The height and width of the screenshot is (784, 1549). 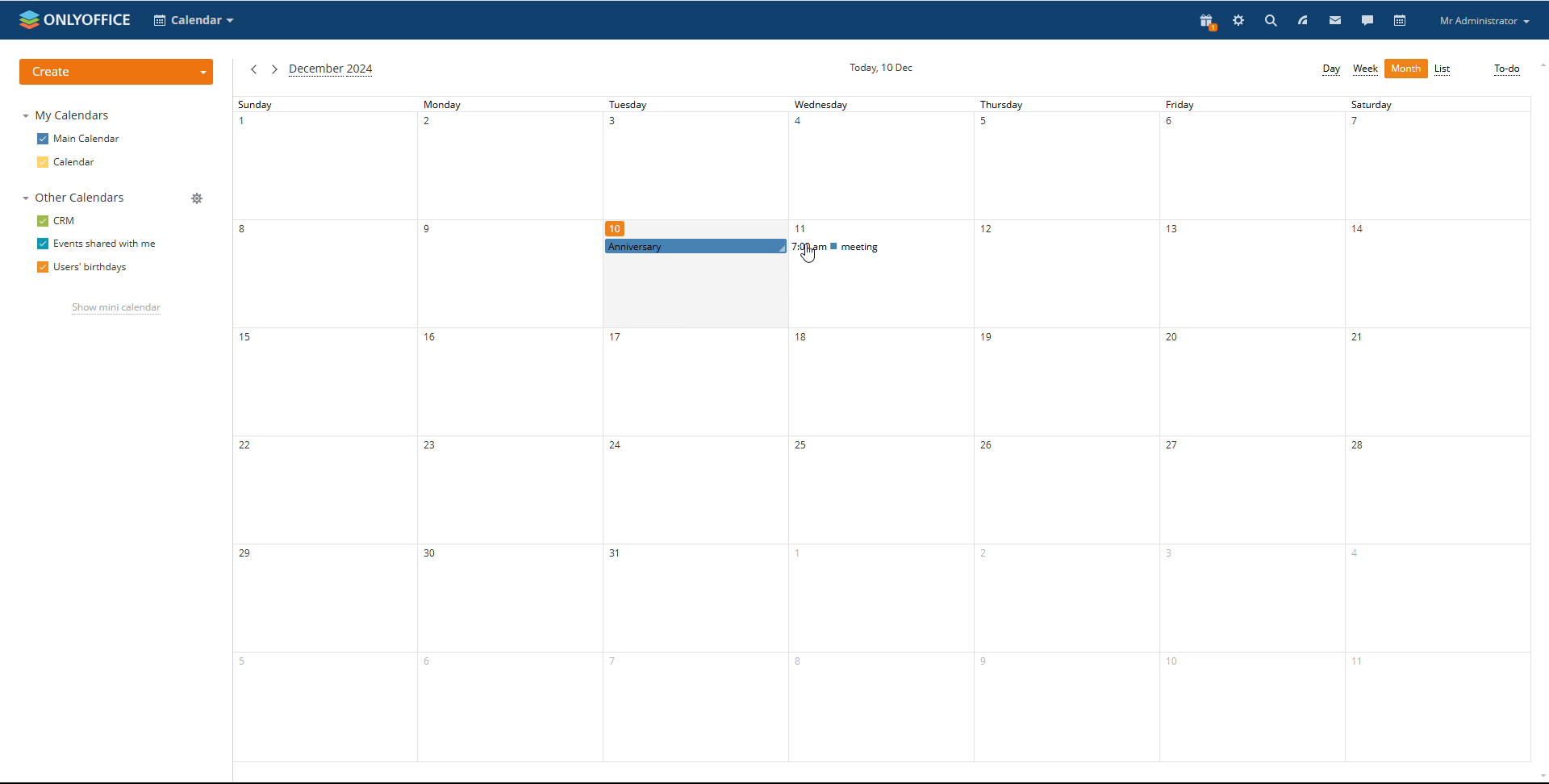 I want to click on logo, so click(x=73, y=19).